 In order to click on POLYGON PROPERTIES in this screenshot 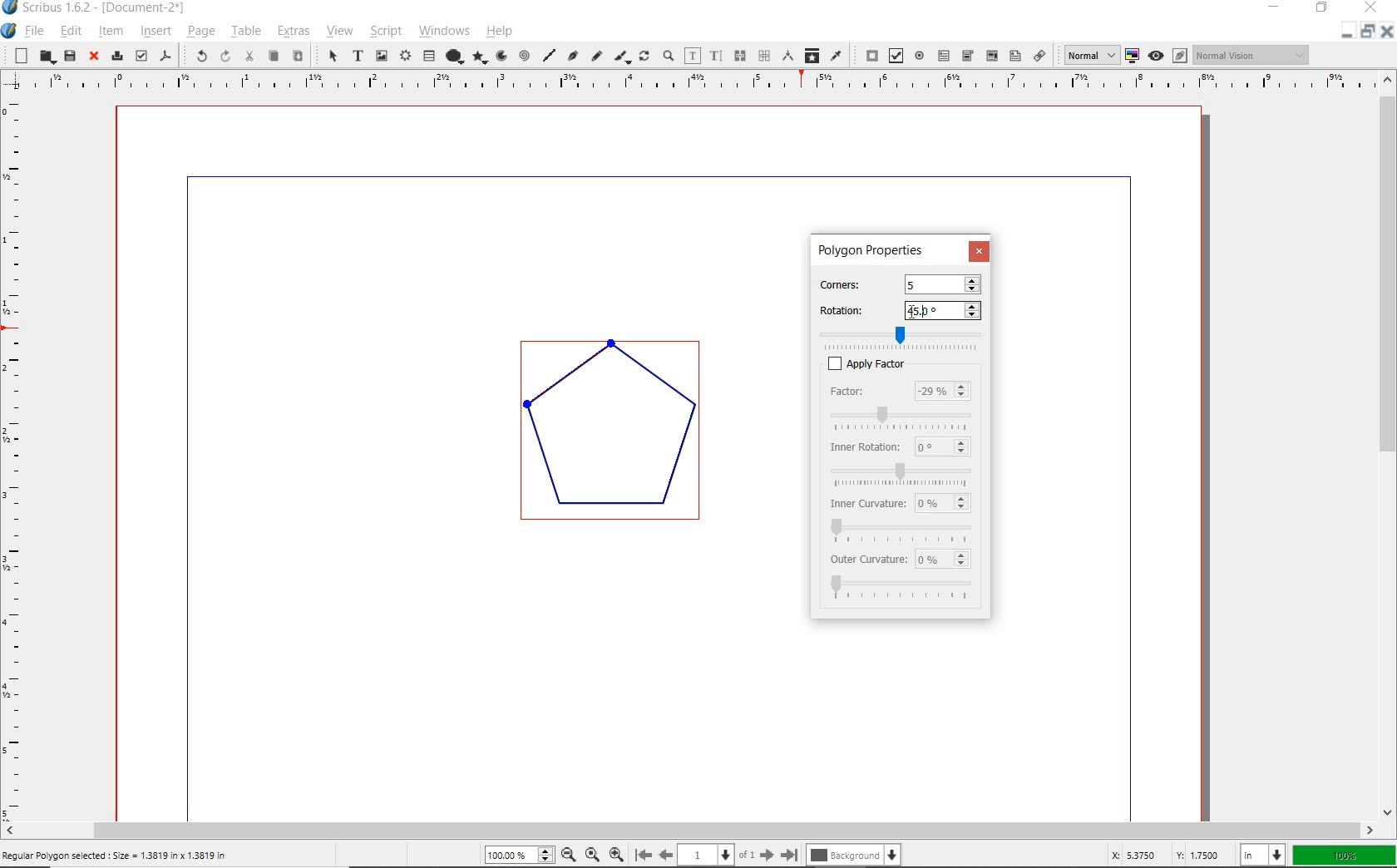, I will do `click(871, 250)`.